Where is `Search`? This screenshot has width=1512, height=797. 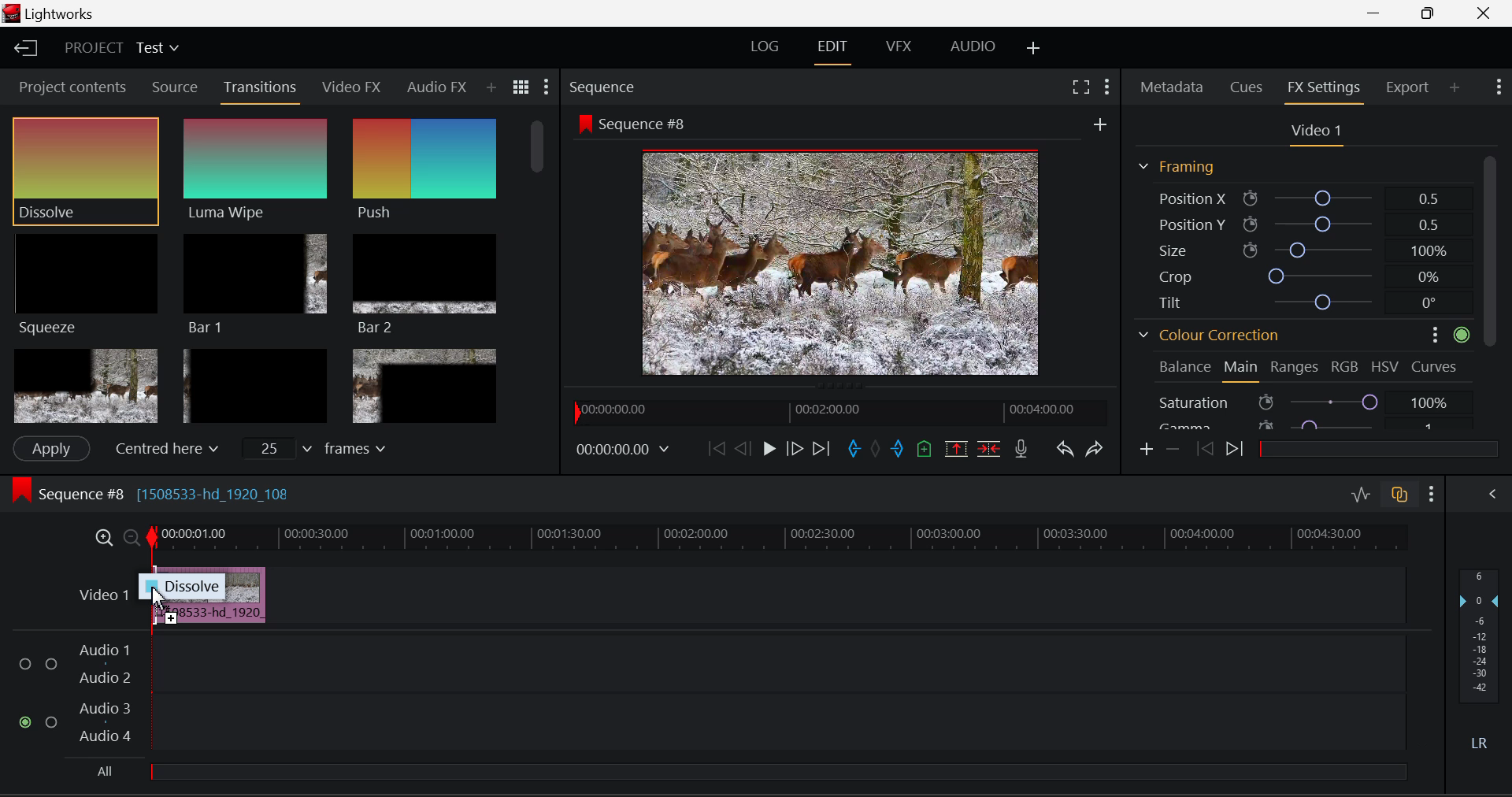 Search is located at coordinates (493, 84).